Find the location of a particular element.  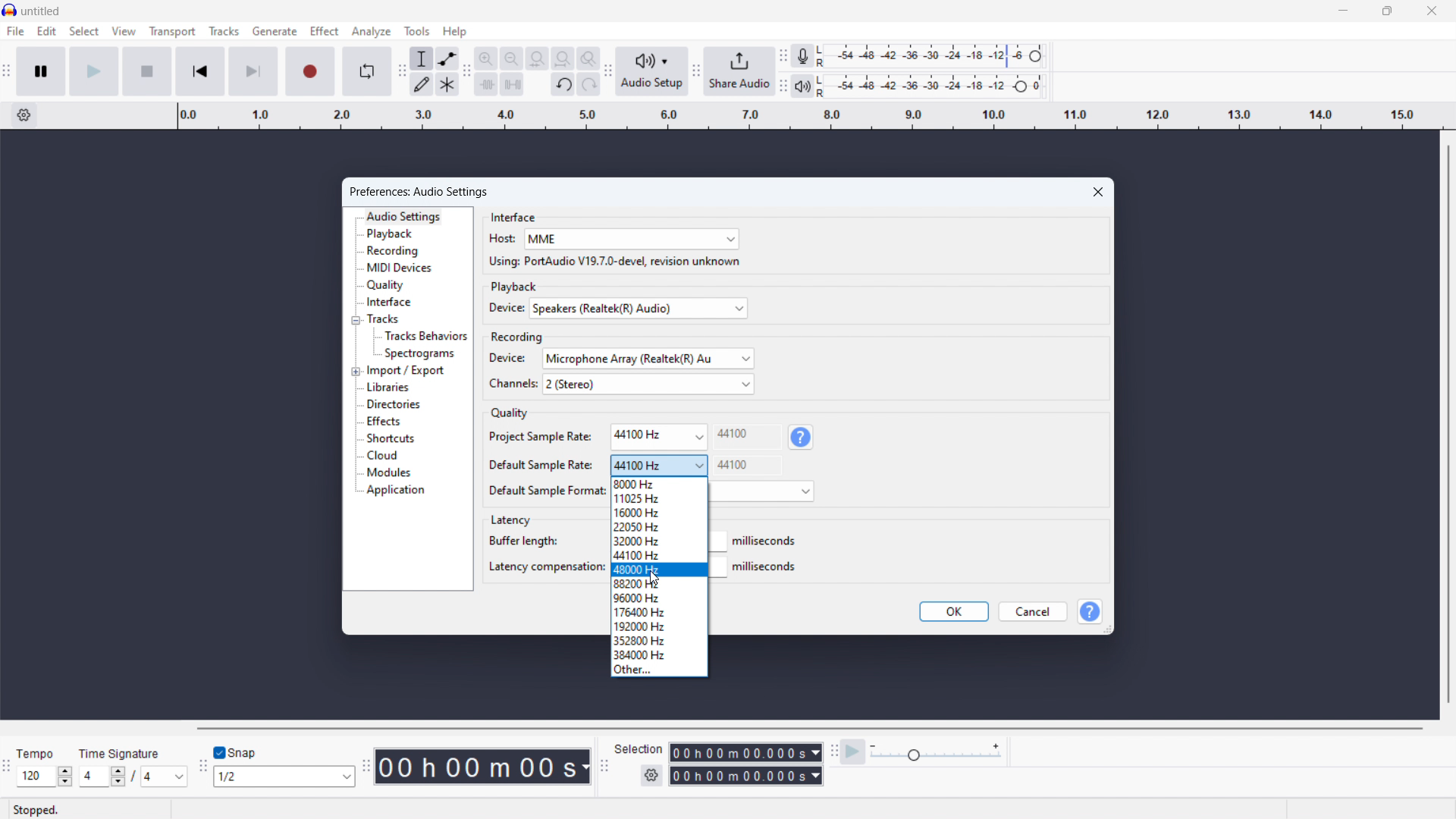

Project sample rate  is located at coordinates (539, 436).